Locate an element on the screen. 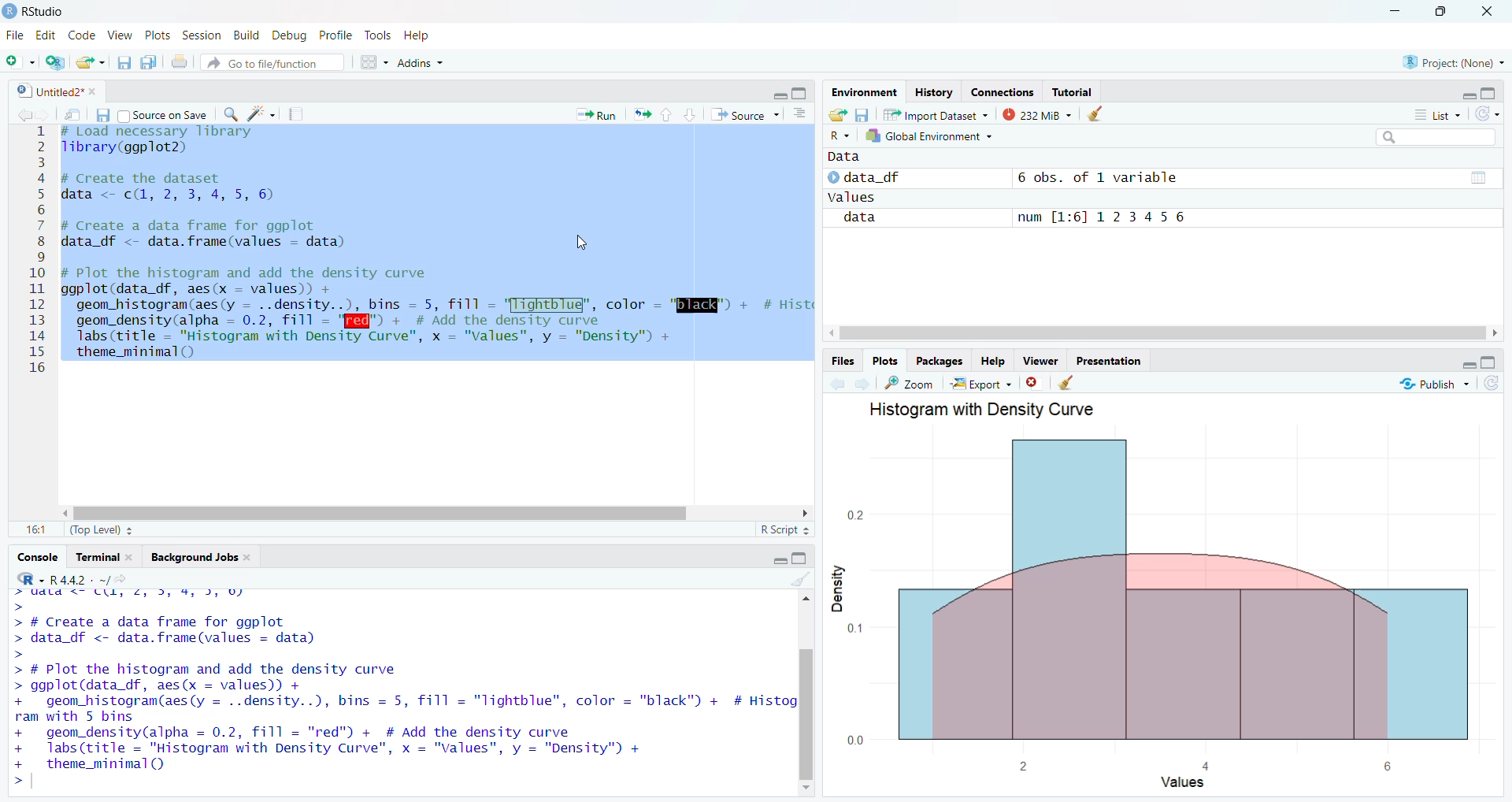 Image resolution: width=1512 pixels, height=802 pixels. Background Jobs is located at coordinates (191, 556).